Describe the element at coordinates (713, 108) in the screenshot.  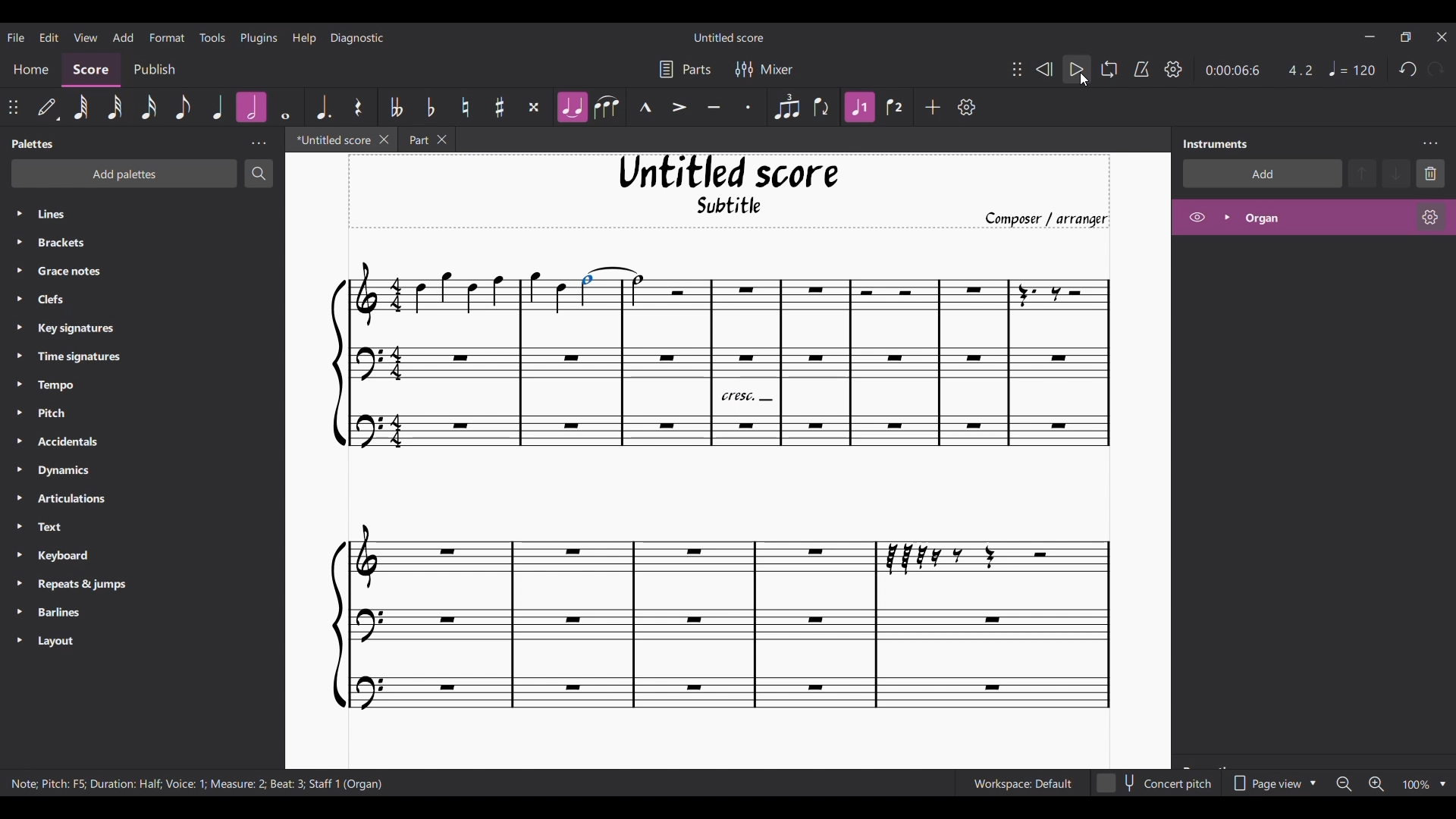
I see `Tenuto` at that location.